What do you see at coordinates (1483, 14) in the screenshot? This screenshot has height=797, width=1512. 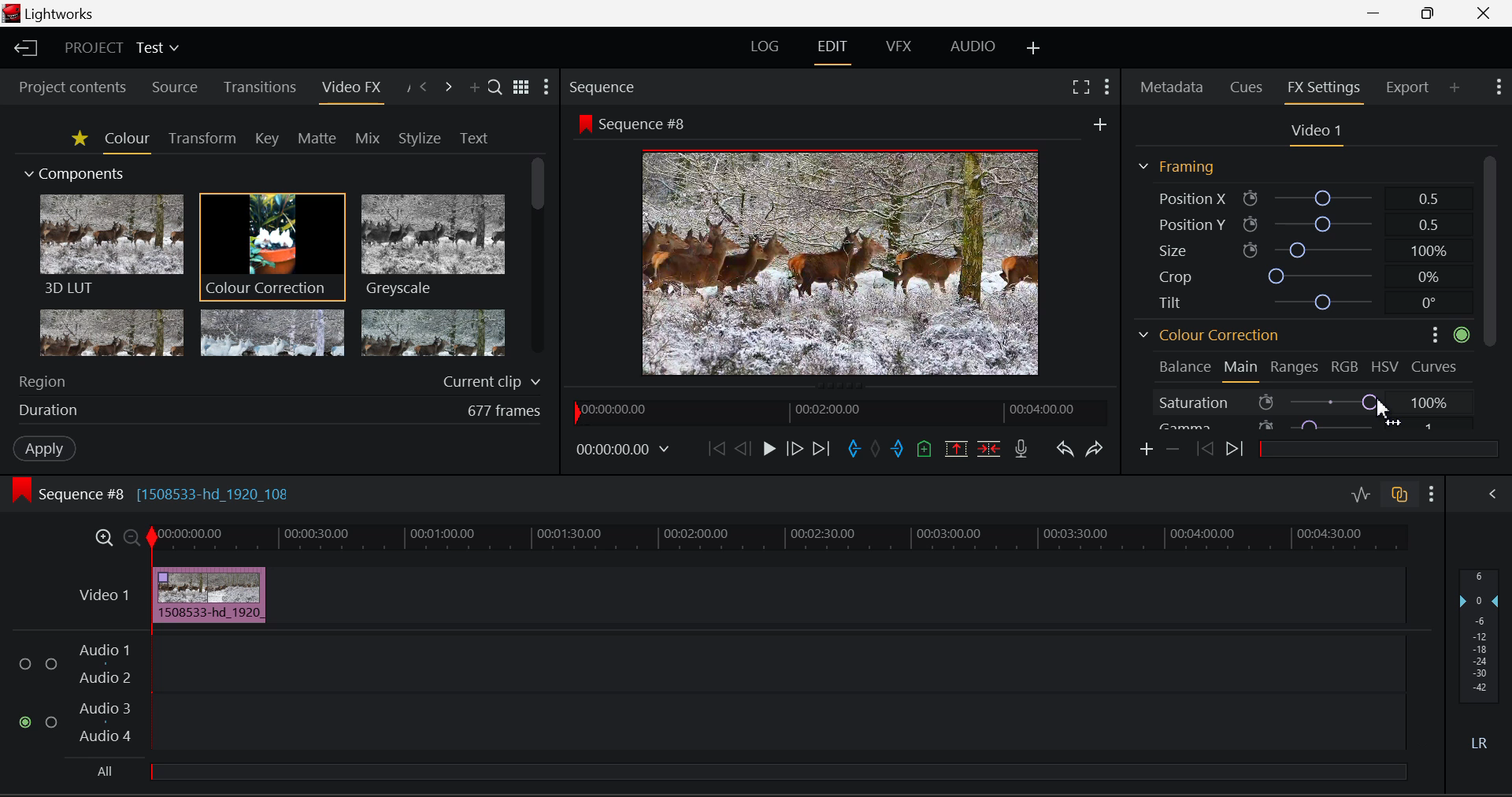 I see `Close` at bounding box center [1483, 14].